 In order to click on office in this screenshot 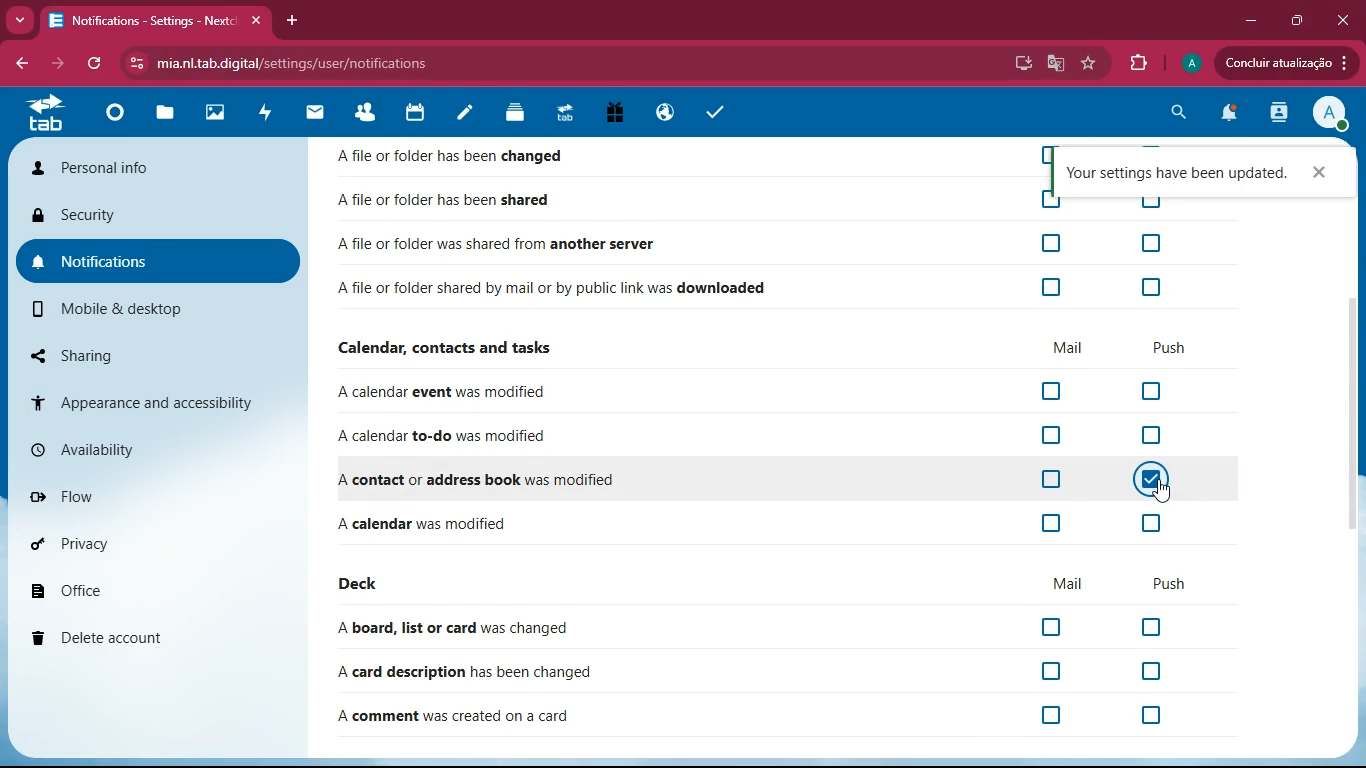, I will do `click(143, 585)`.